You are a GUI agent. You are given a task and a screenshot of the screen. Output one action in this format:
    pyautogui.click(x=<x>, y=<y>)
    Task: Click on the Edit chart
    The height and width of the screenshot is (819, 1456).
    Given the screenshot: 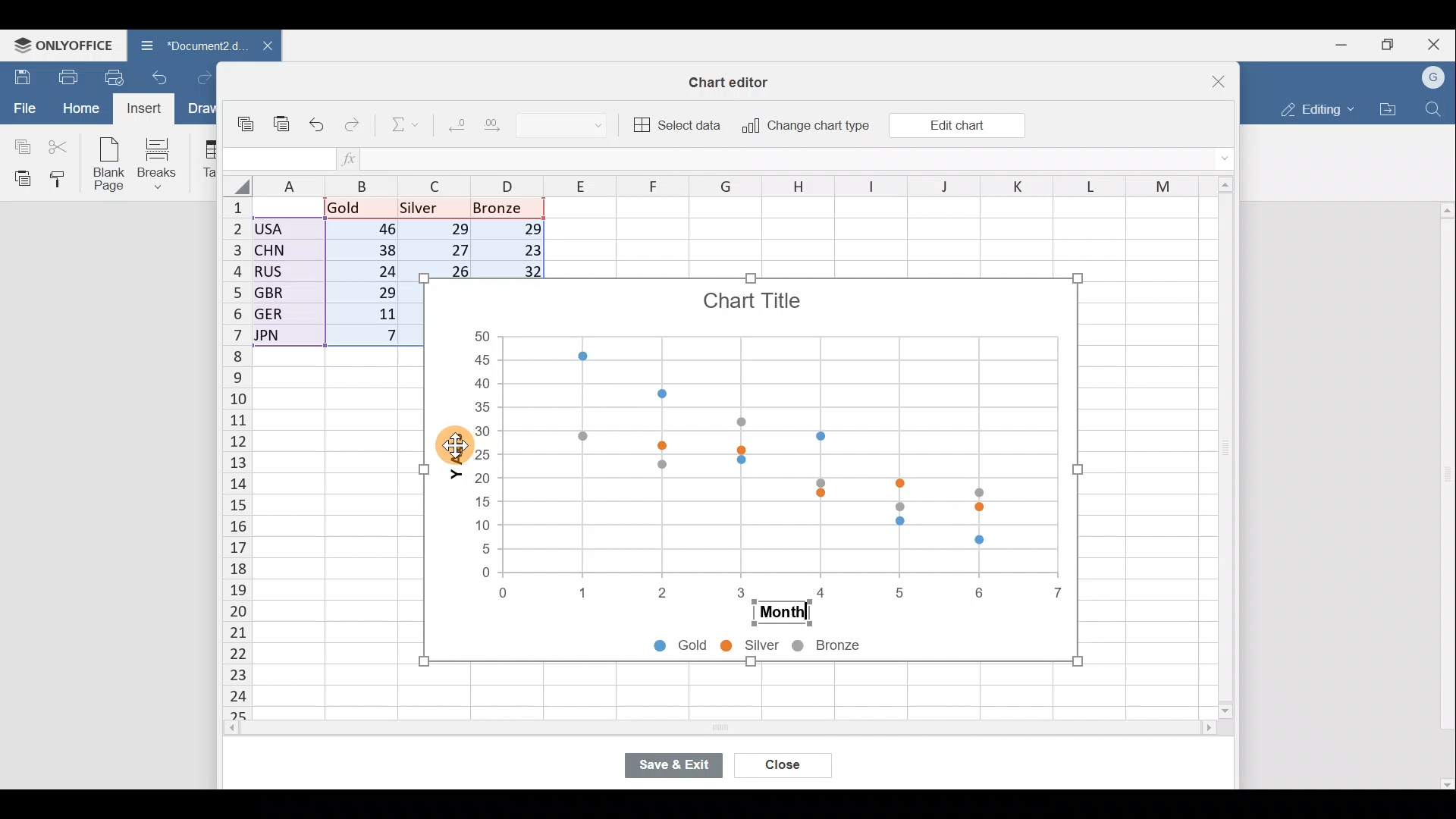 What is the action you would take?
    pyautogui.click(x=955, y=124)
    